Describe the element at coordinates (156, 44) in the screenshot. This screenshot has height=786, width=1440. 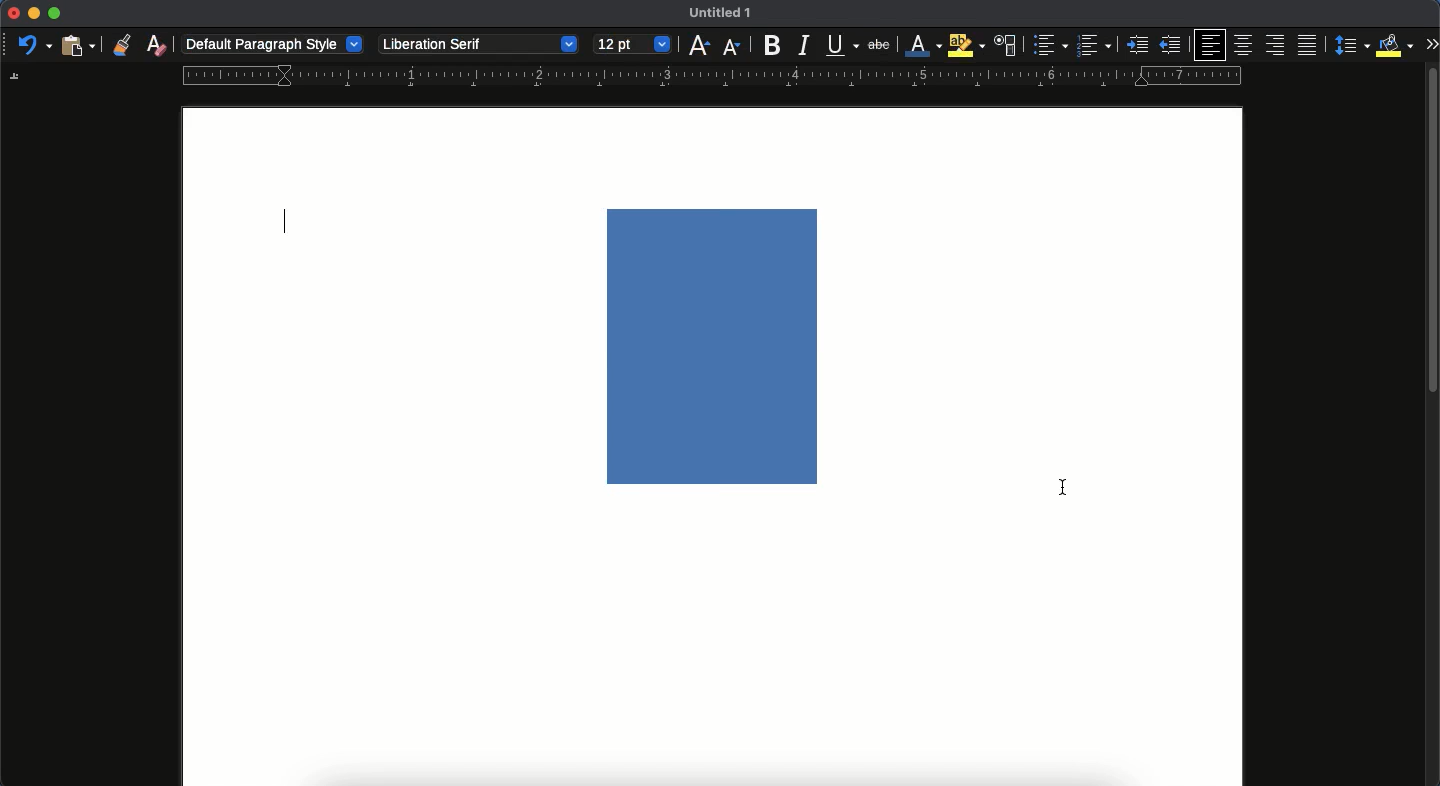
I see `clear formatting ` at that location.